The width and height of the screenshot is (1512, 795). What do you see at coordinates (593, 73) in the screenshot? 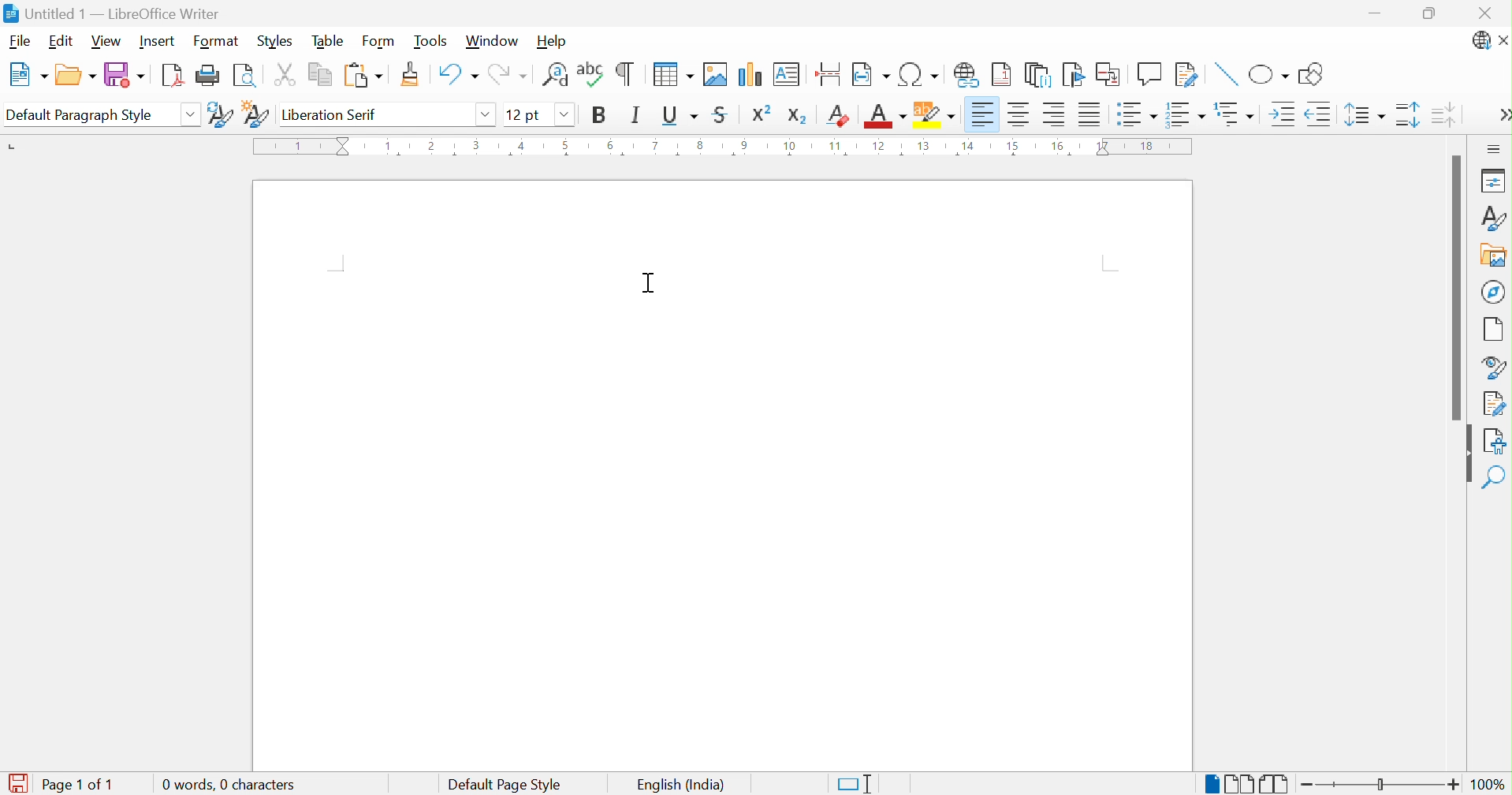
I see `Check spelling` at bounding box center [593, 73].